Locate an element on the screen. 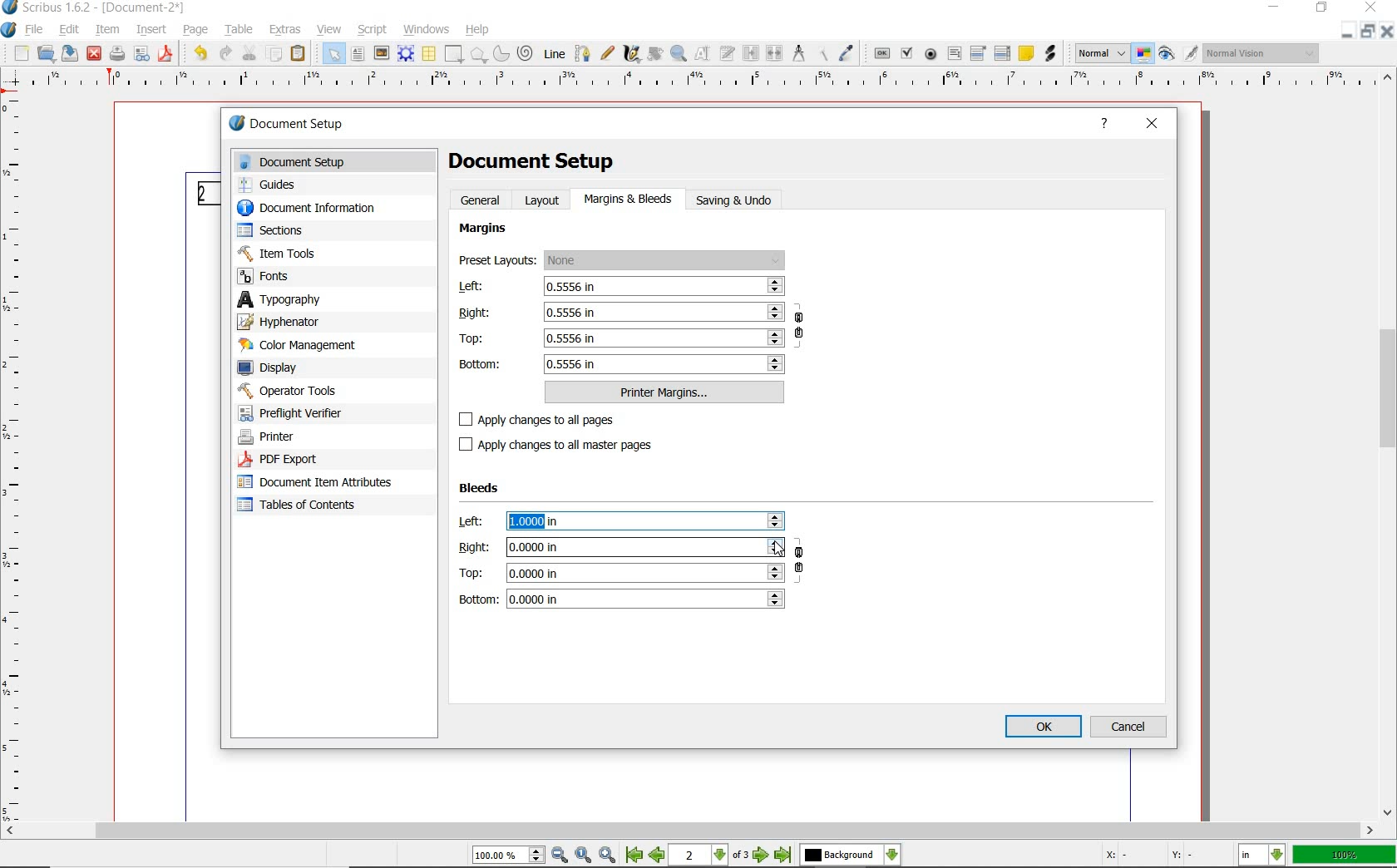 The image size is (1397, 868). select is located at coordinates (334, 57).